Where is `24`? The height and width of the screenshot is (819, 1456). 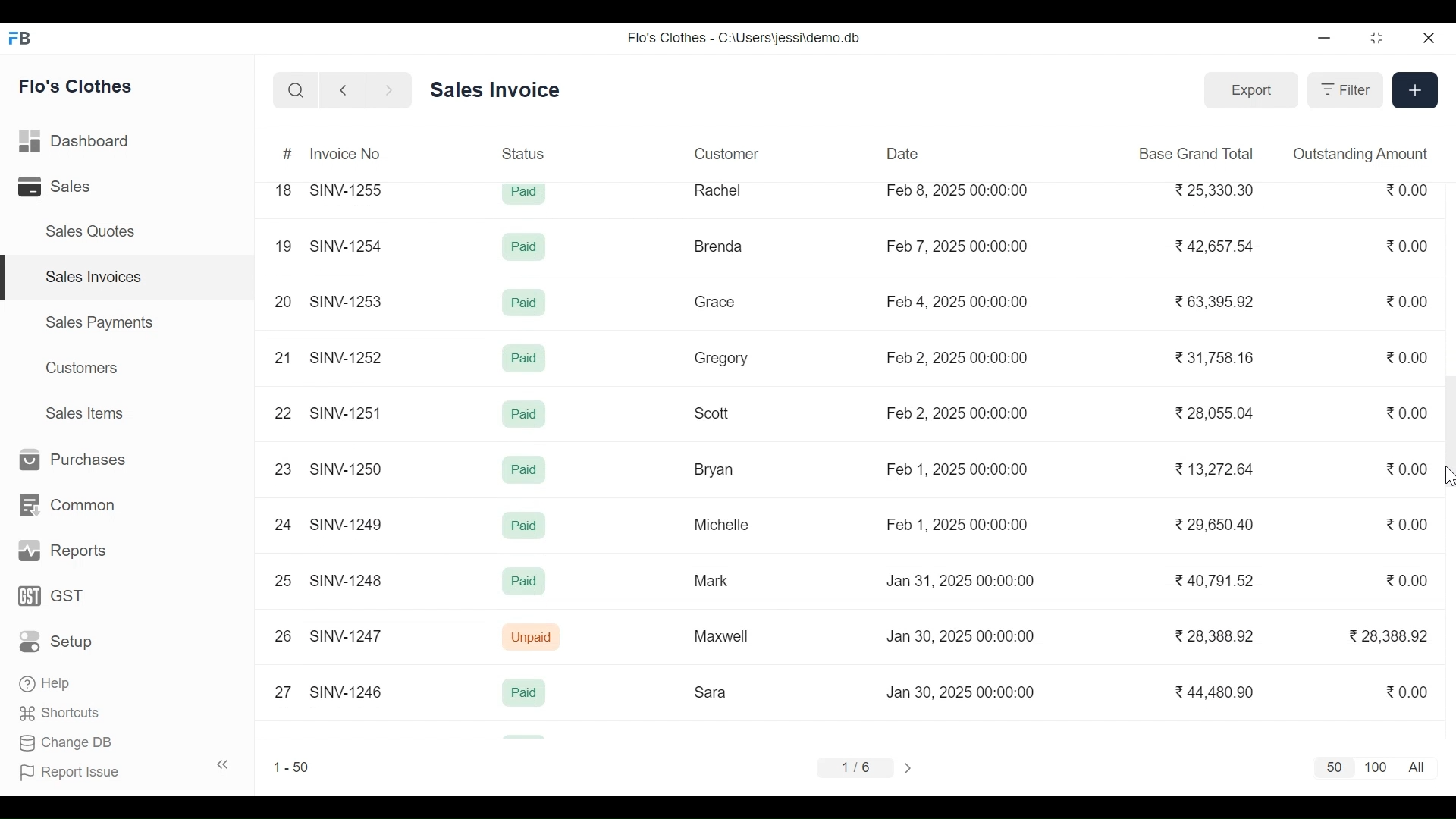 24 is located at coordinates (283, 524).